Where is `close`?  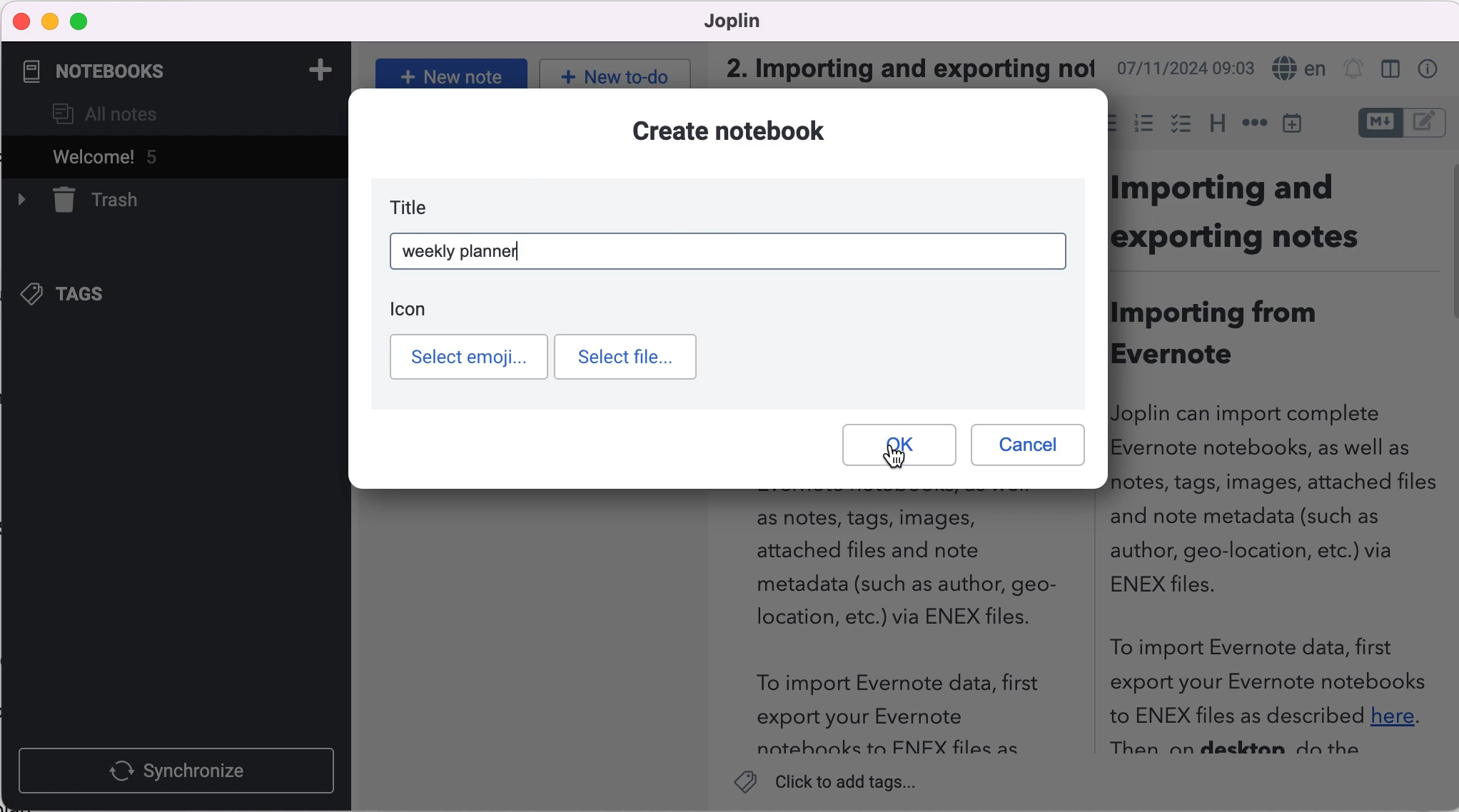
close is located at coordinates (22, 21).